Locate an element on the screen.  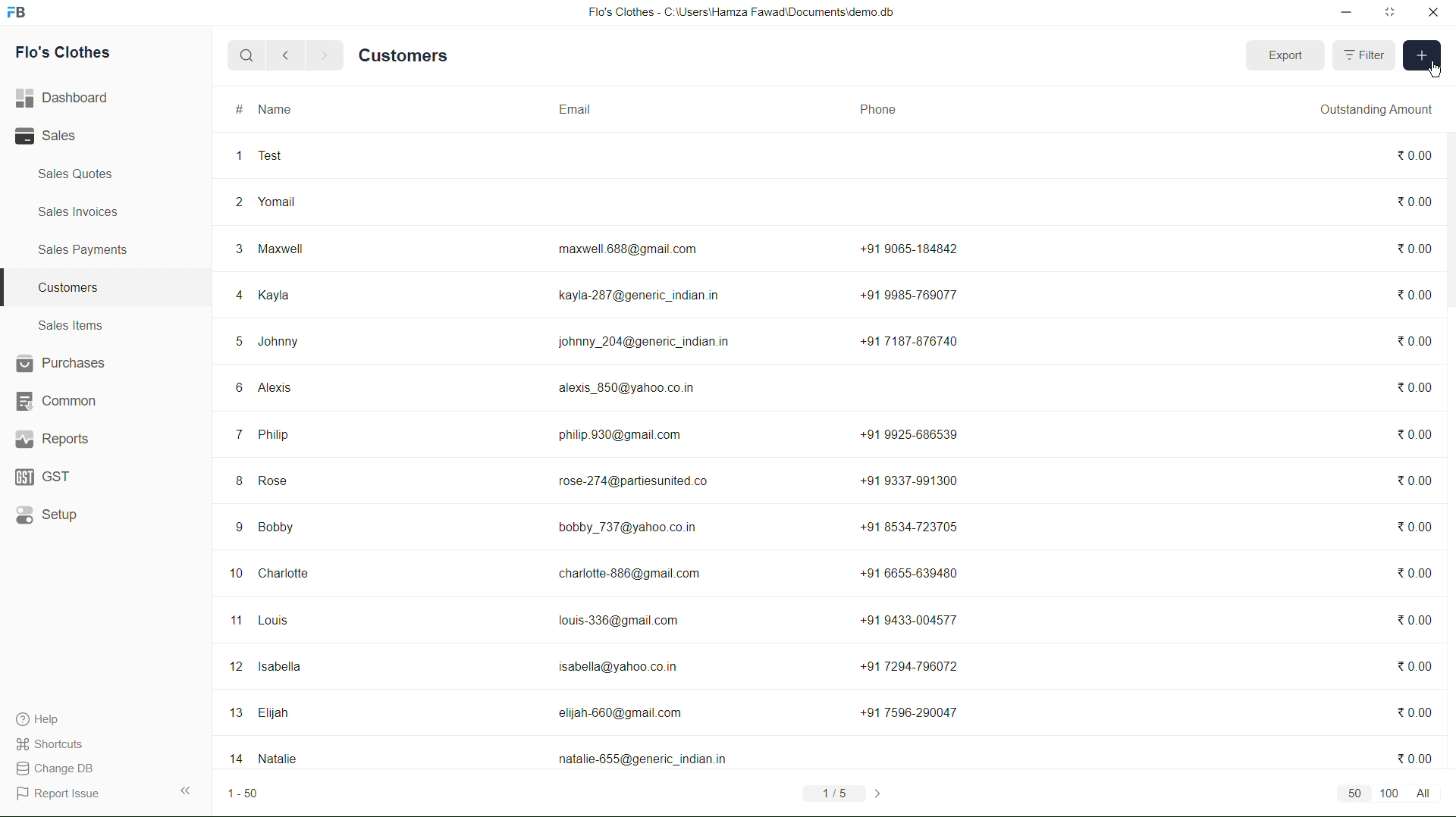
search is located at coordinates (243, 55).